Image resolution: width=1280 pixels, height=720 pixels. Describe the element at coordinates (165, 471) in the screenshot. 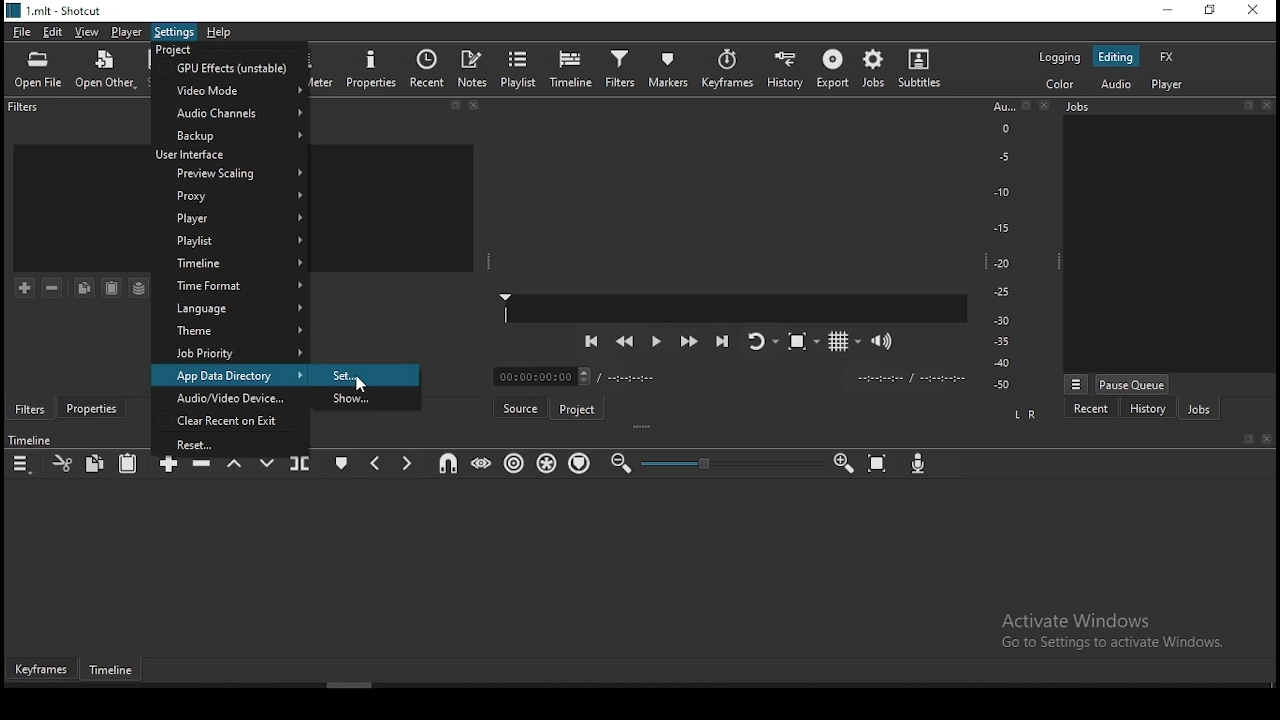

I see `append` at that location.